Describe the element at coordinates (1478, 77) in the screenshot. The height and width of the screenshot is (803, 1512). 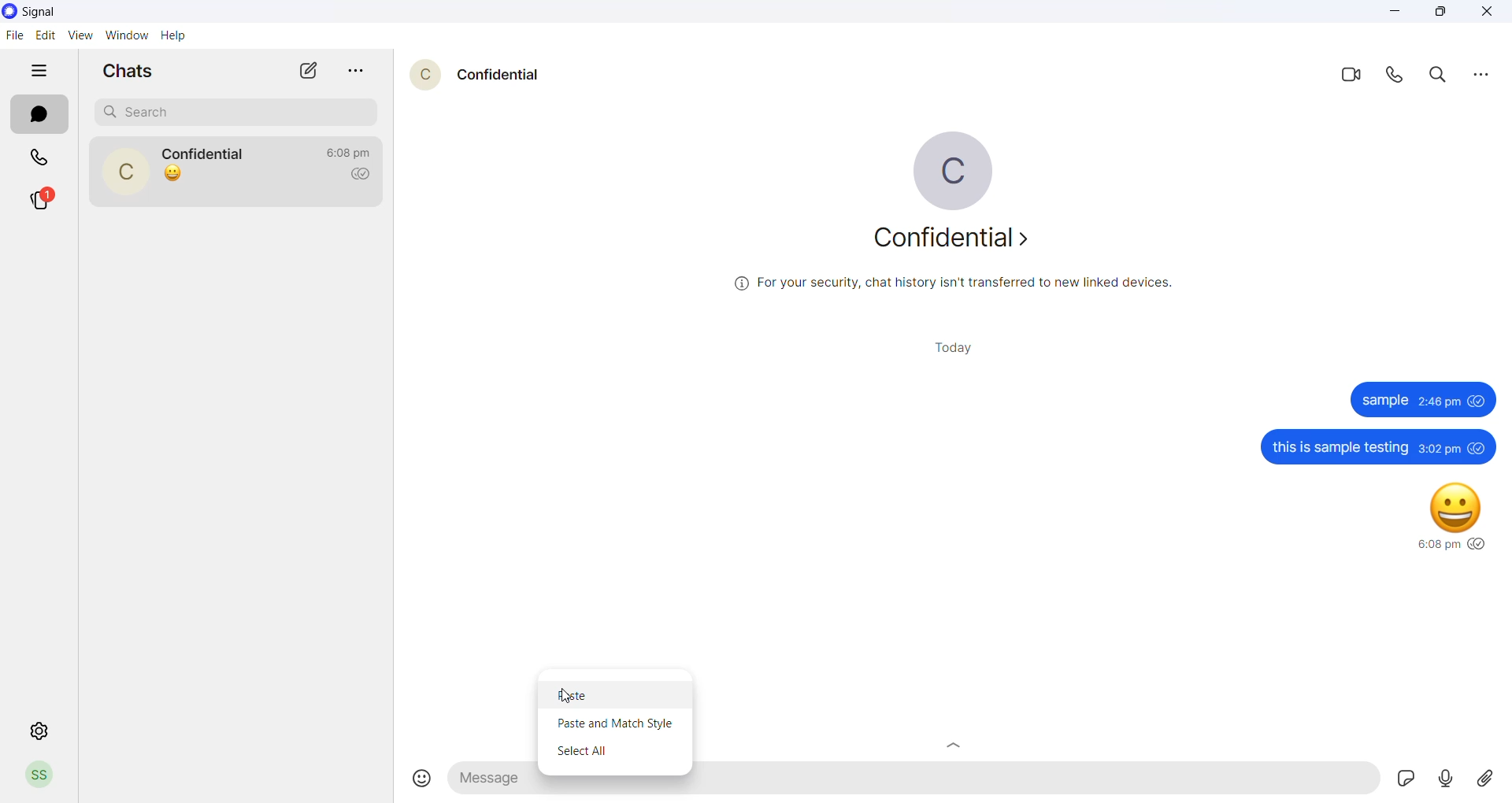
I see `more options` at that location.